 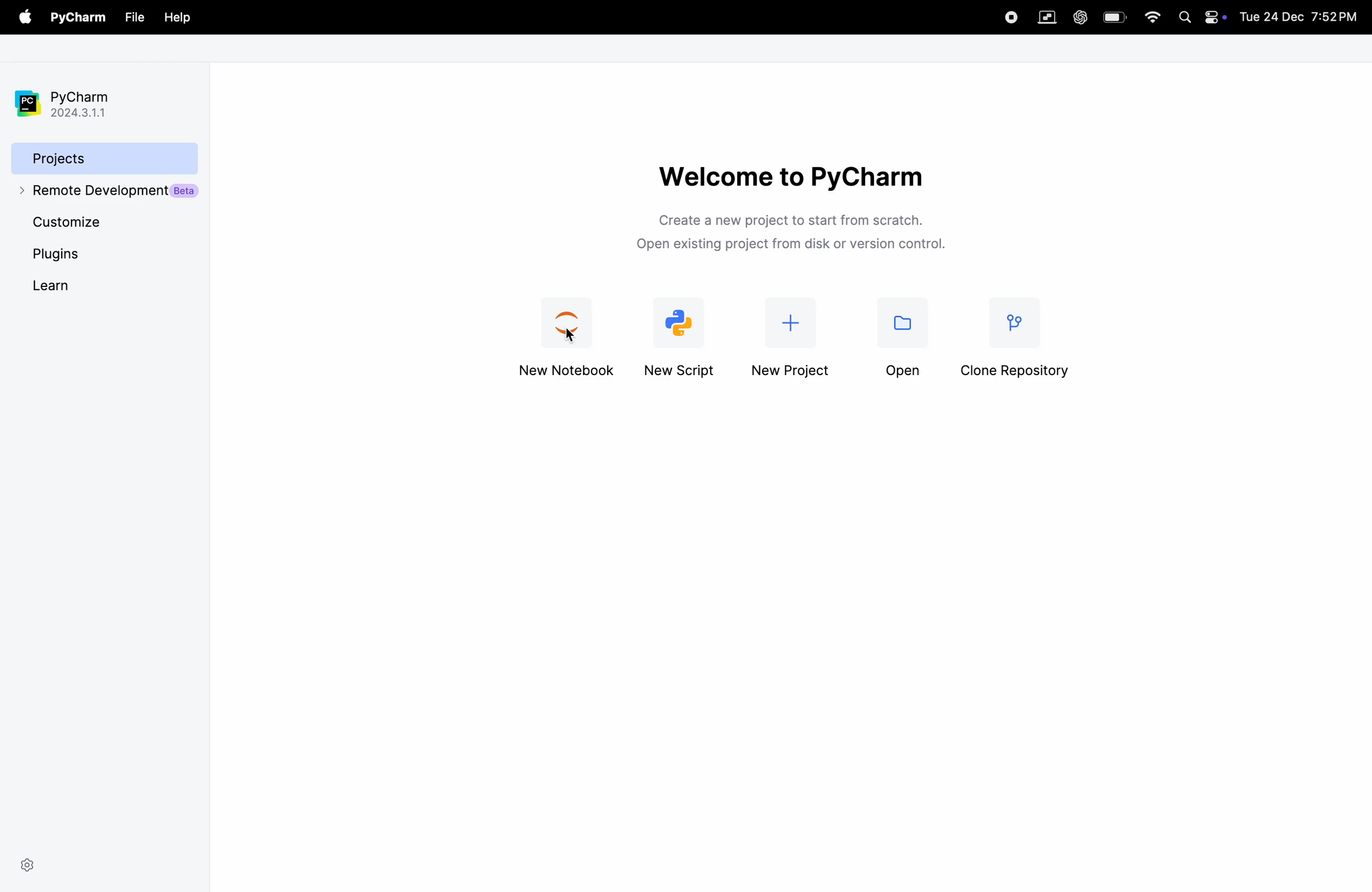 I want to click on remote development, so click(x=105, y=192).